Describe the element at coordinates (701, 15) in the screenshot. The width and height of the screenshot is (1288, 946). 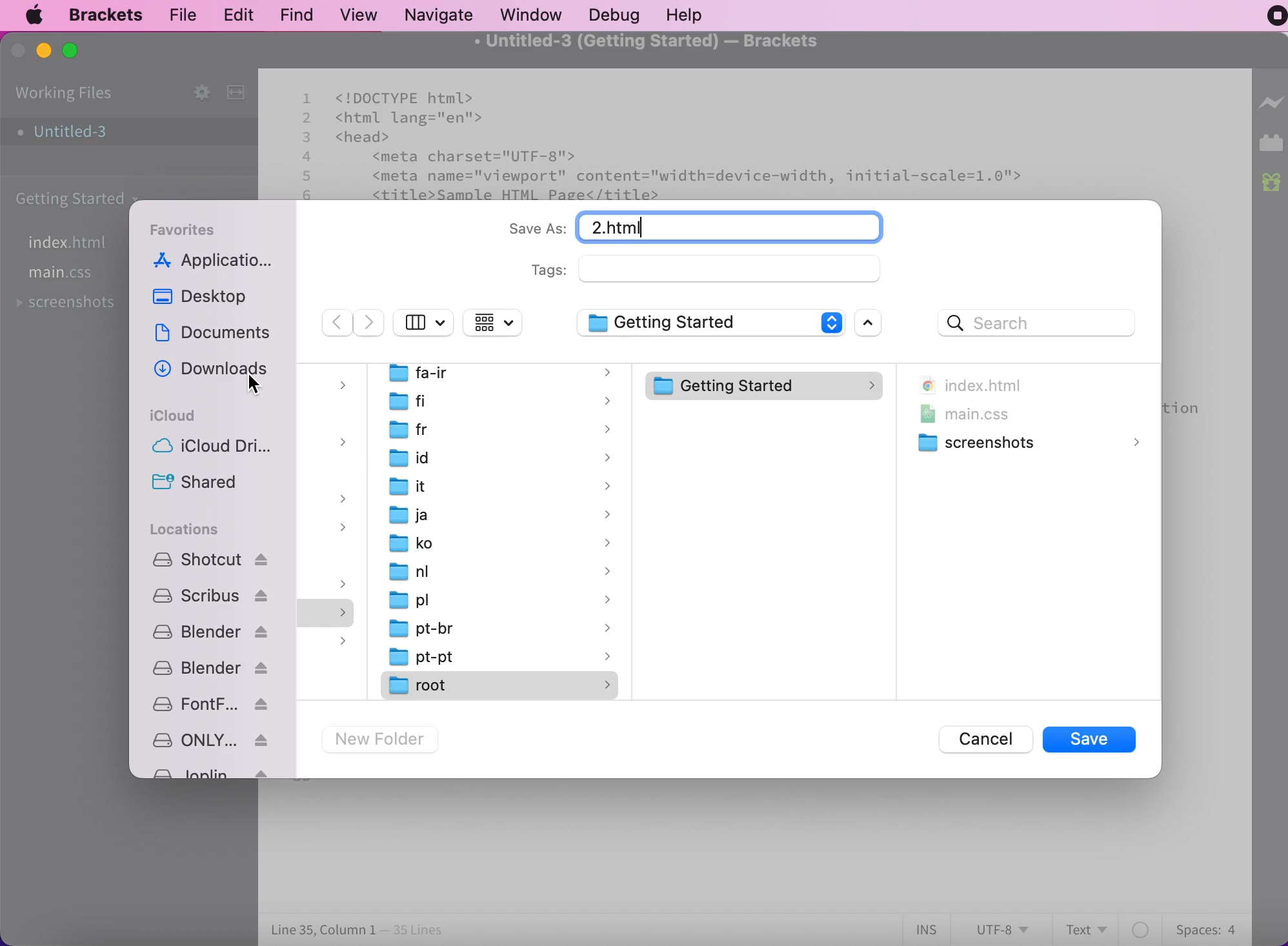
I see `help` at that location.